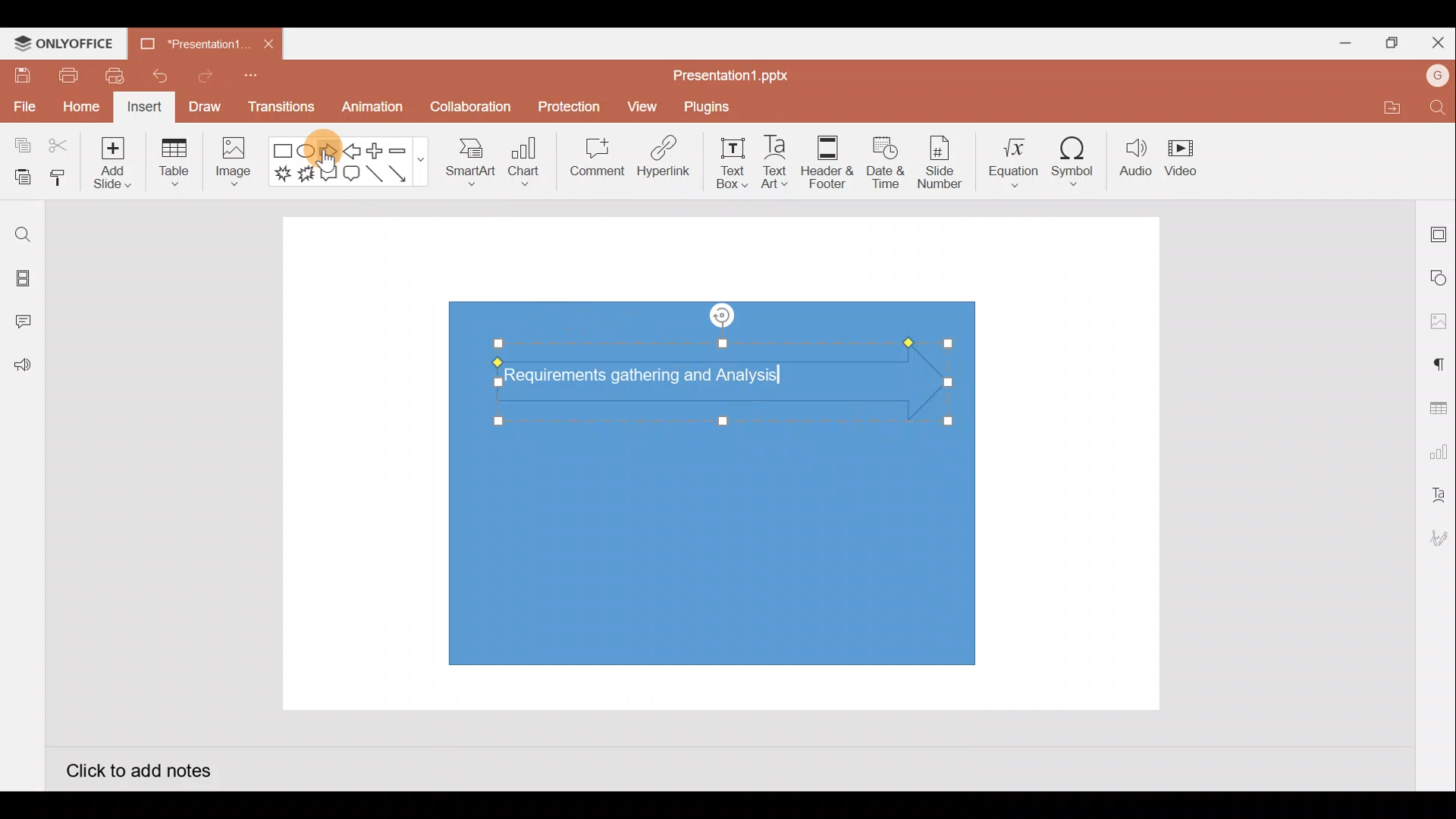 Image resolution: width=1456 pixels, height=819 pixels. What do you see at coordinates (469, 113) in the screenshot?
I see `Collaboration` at bounding box center [469, 113].